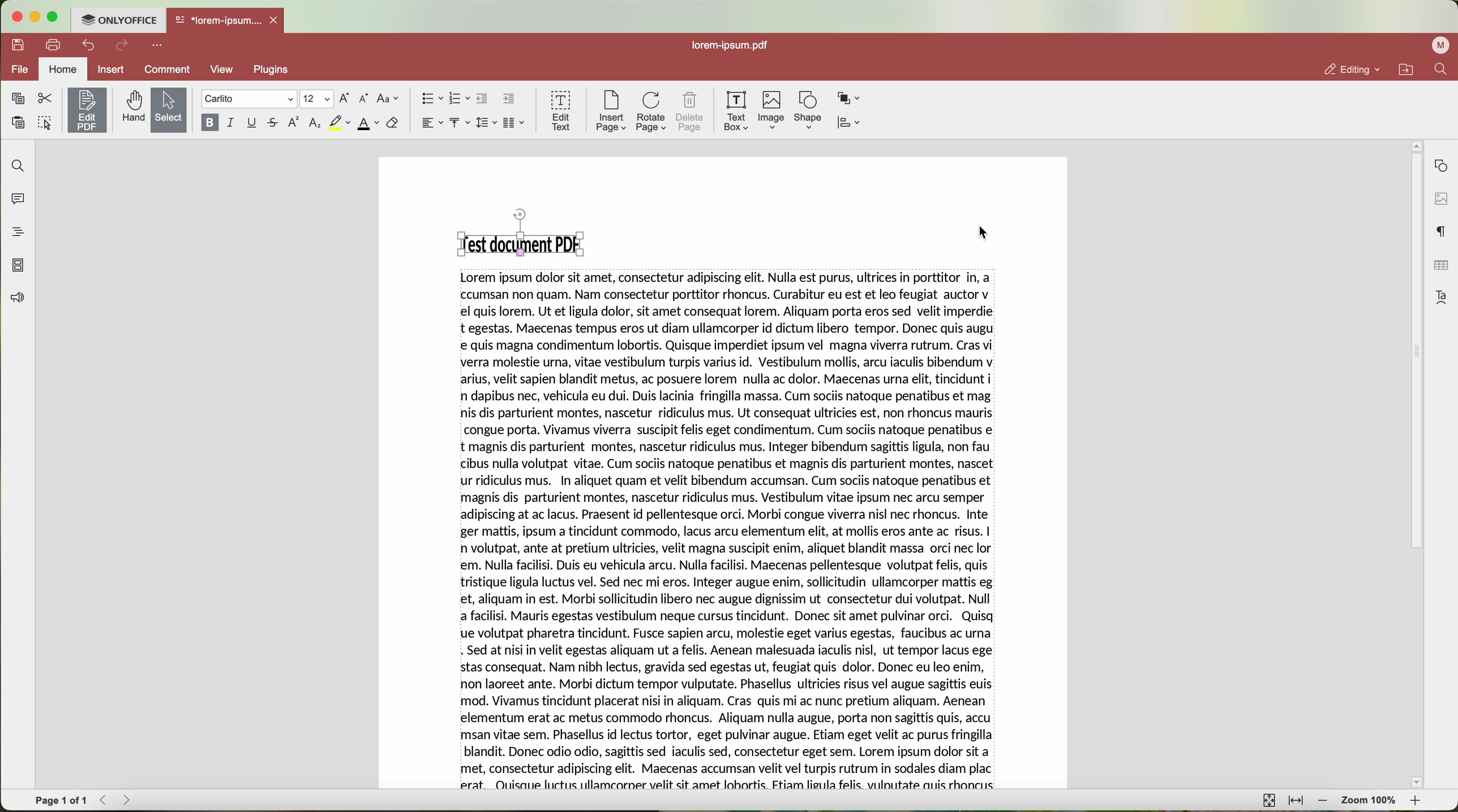 This screenshot has width=1458, height=812. I want to click on print, so click(53, 44).